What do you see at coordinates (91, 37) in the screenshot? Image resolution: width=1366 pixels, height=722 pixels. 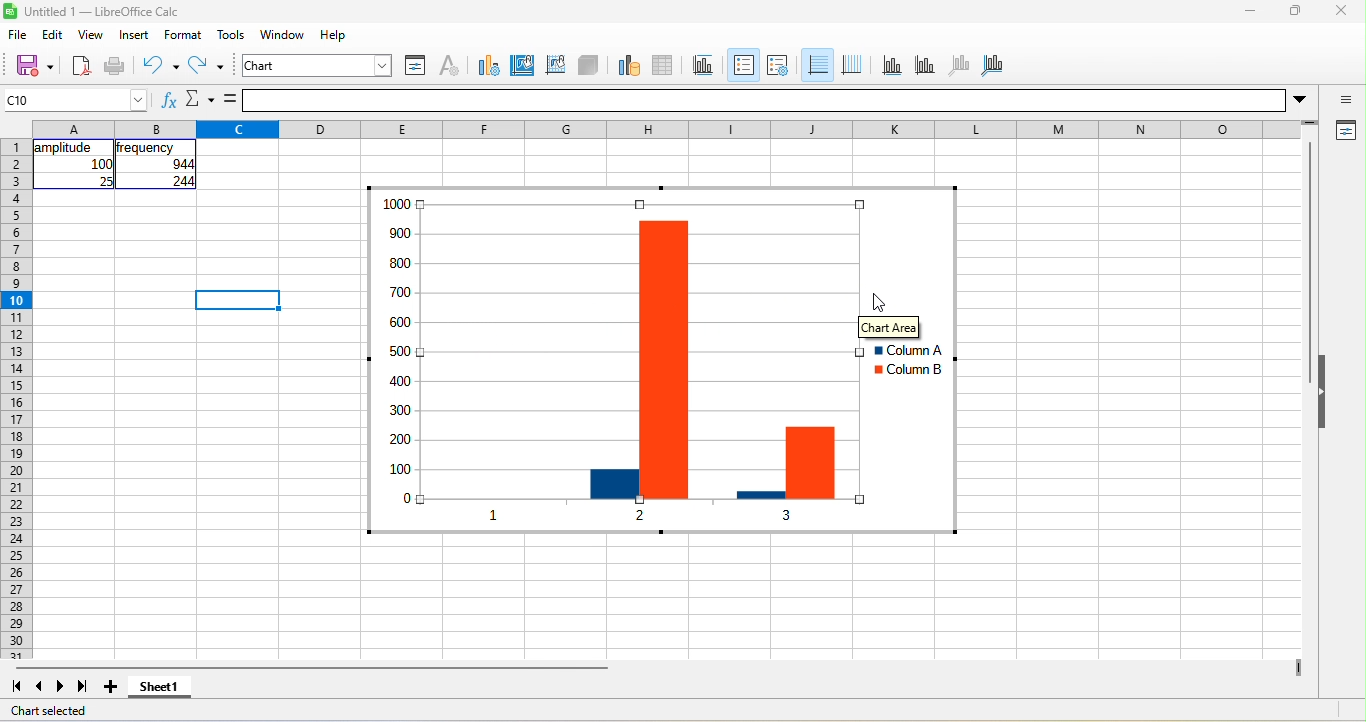 I see `view` at bounding box center [91, 37].